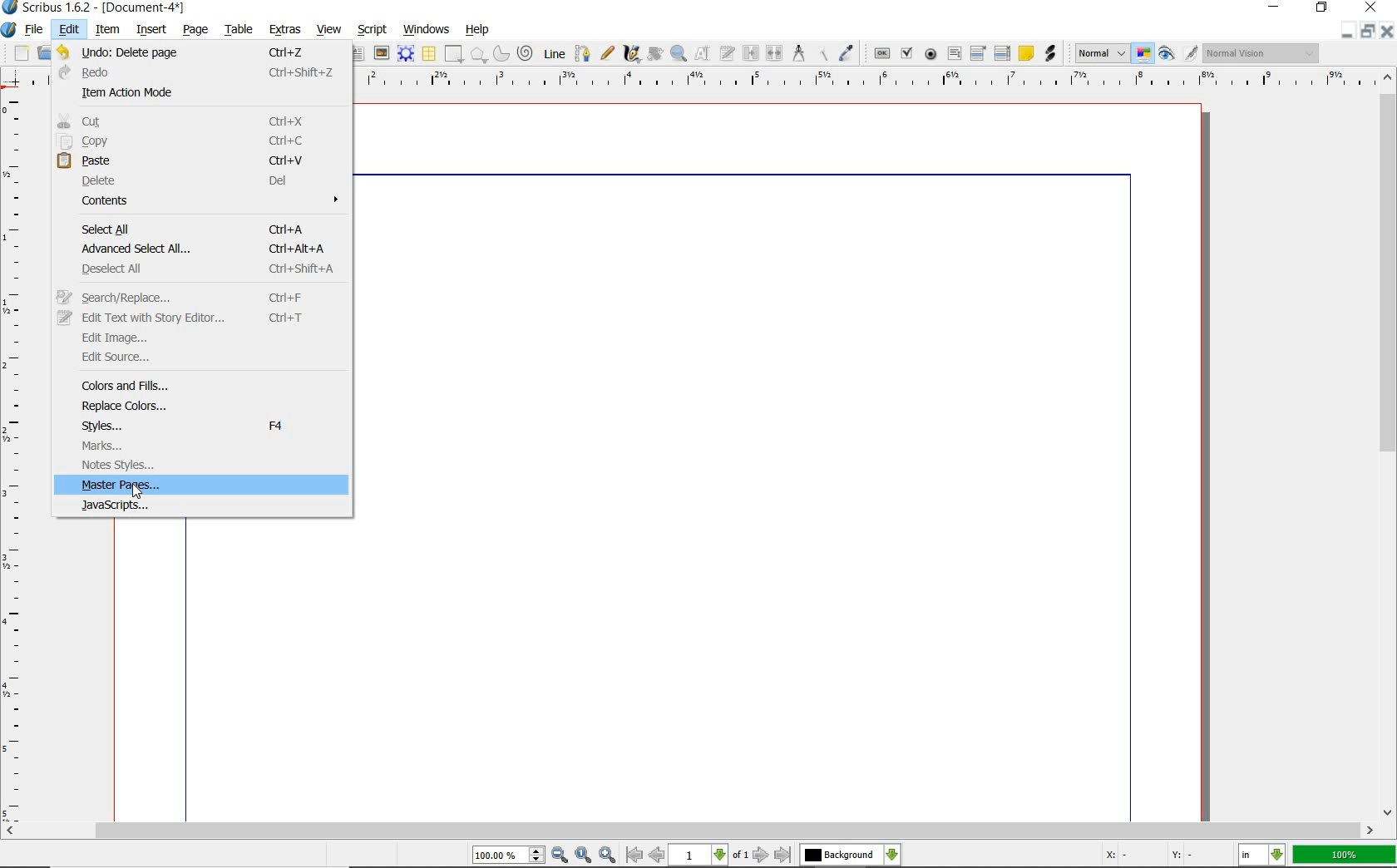 The image size is (1397, 868). Describe the element at coordinates (196, 28) in the screenshot. I see `page` at that location.